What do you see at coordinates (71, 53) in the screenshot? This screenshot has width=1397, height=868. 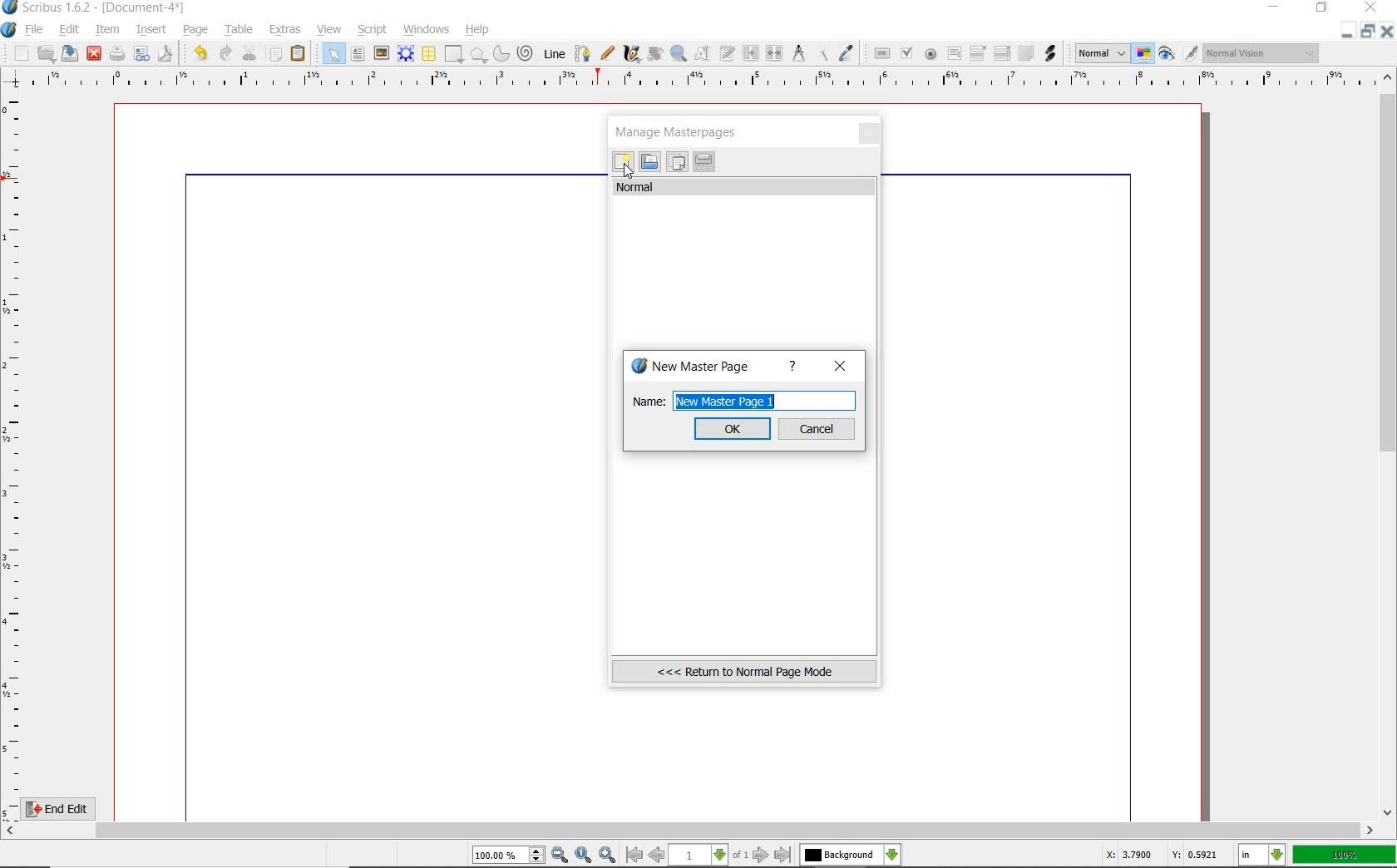 I see `save` at bounding box center [71, 53].